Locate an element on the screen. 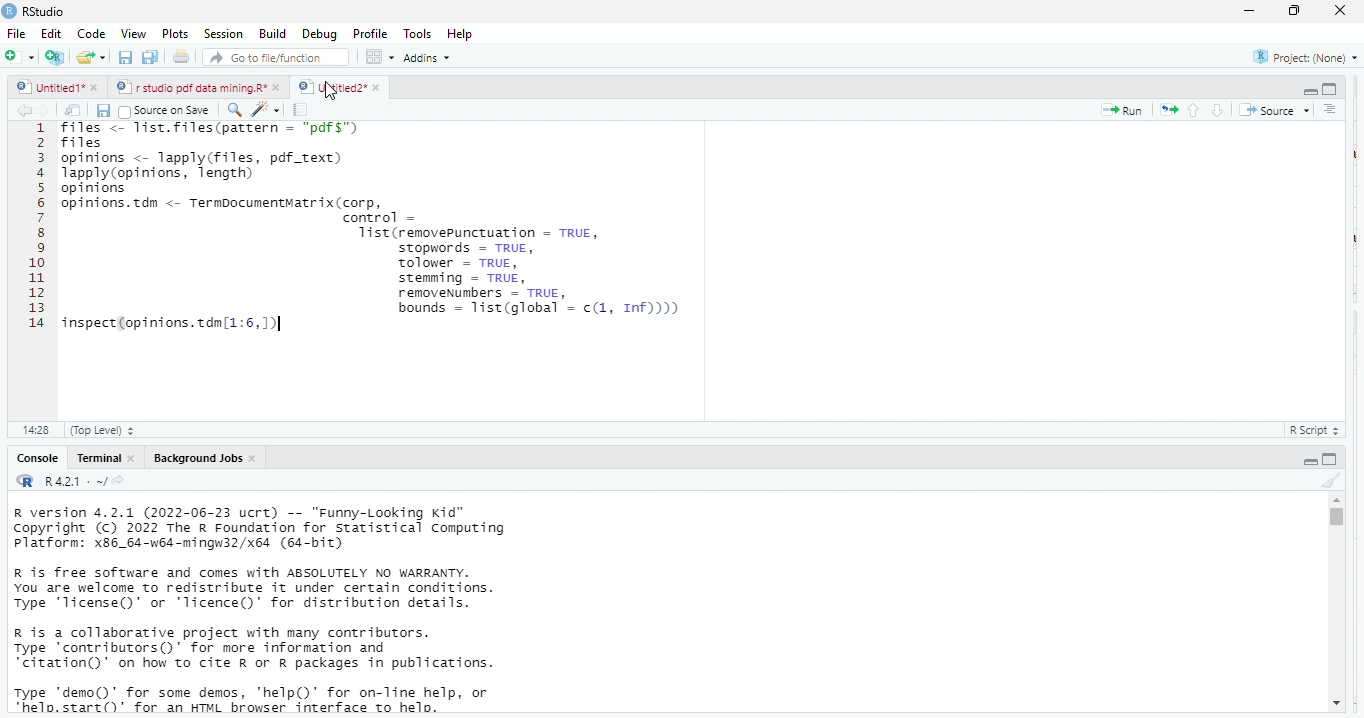  rs studio logo is located at coordinates (9, 10).